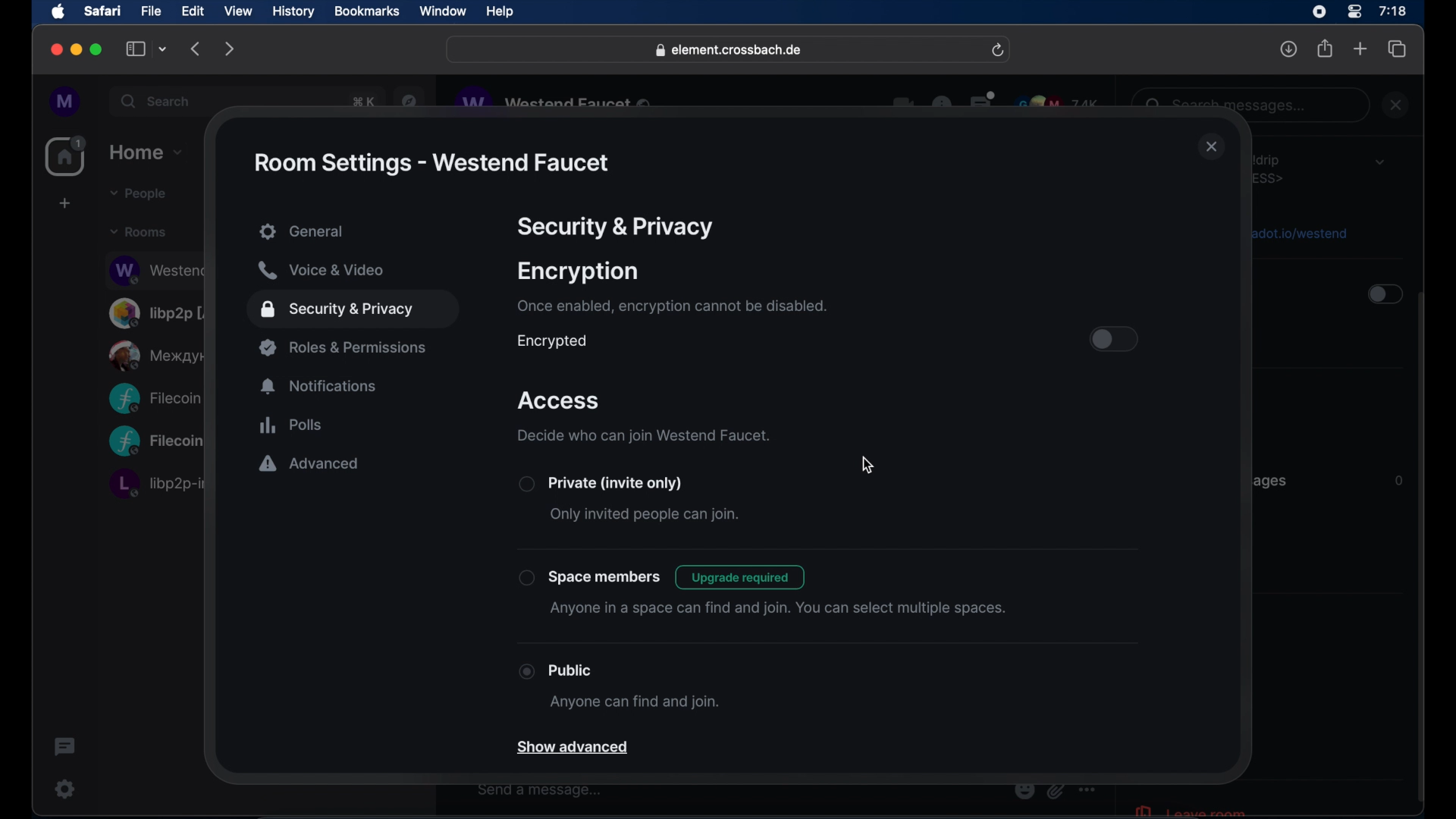 The height and width of the screenshot is (819, 1456). Describe the element at coordinates (66, 747) in the screenshot. I see `thread activity` at that location.